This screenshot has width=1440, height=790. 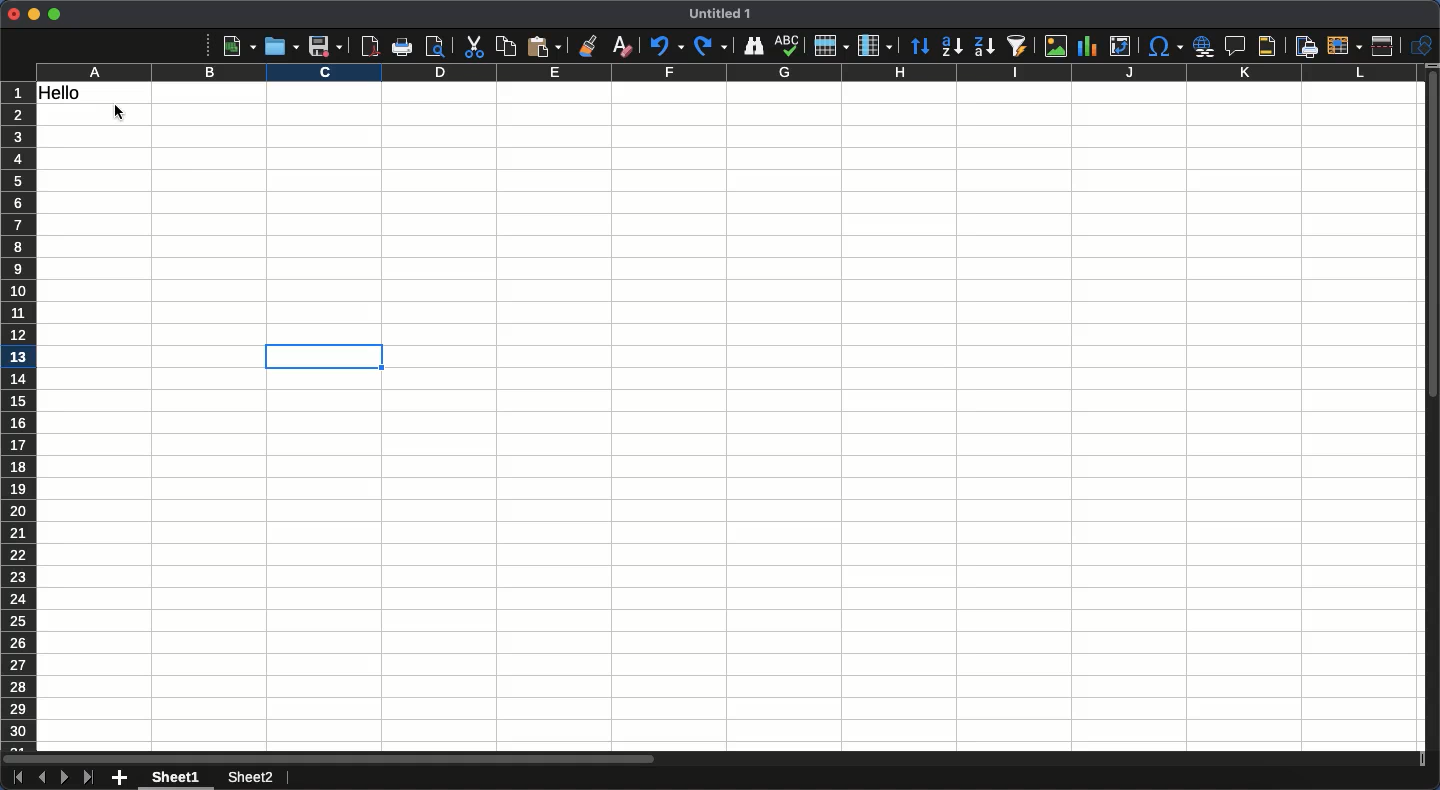 I want to click on Next sheet, so click(x=65, y=778).